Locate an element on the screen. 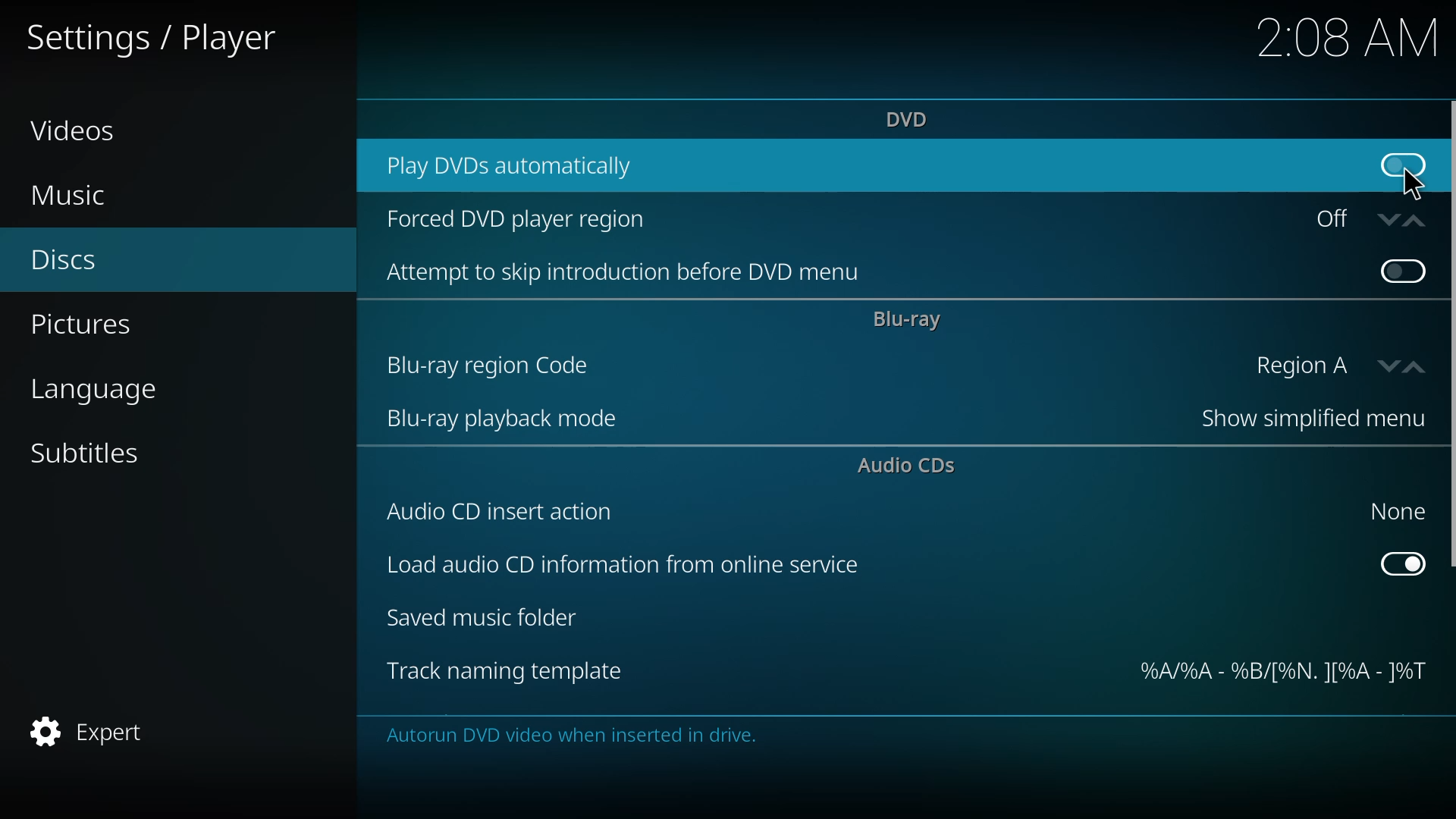  click to enable is located at coordinates (1402, 162).